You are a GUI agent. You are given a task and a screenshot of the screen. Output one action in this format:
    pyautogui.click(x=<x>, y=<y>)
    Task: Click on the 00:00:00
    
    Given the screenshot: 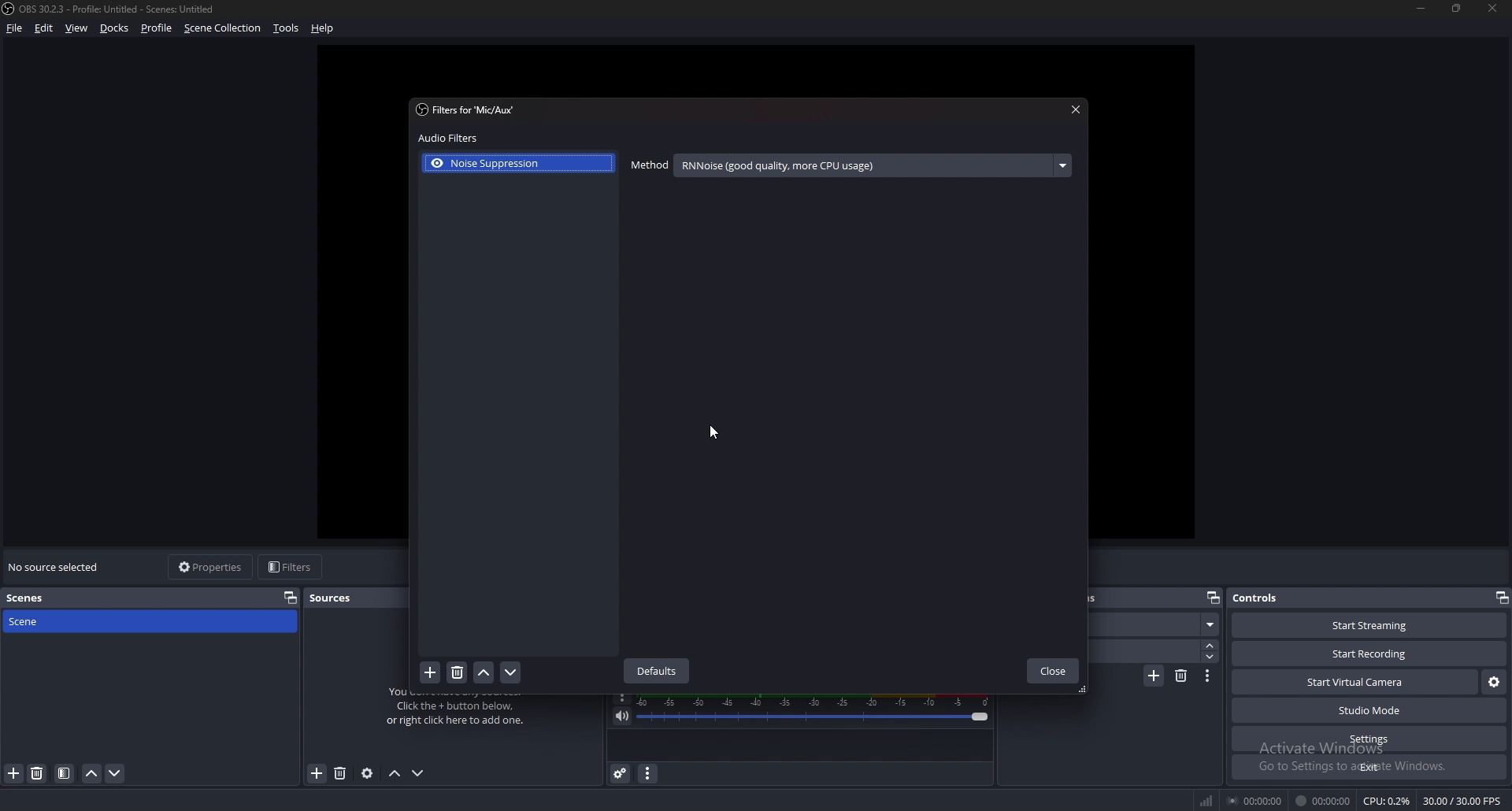 What is the action you would take?
    pyautogui.click(x=1324, y=800)
    